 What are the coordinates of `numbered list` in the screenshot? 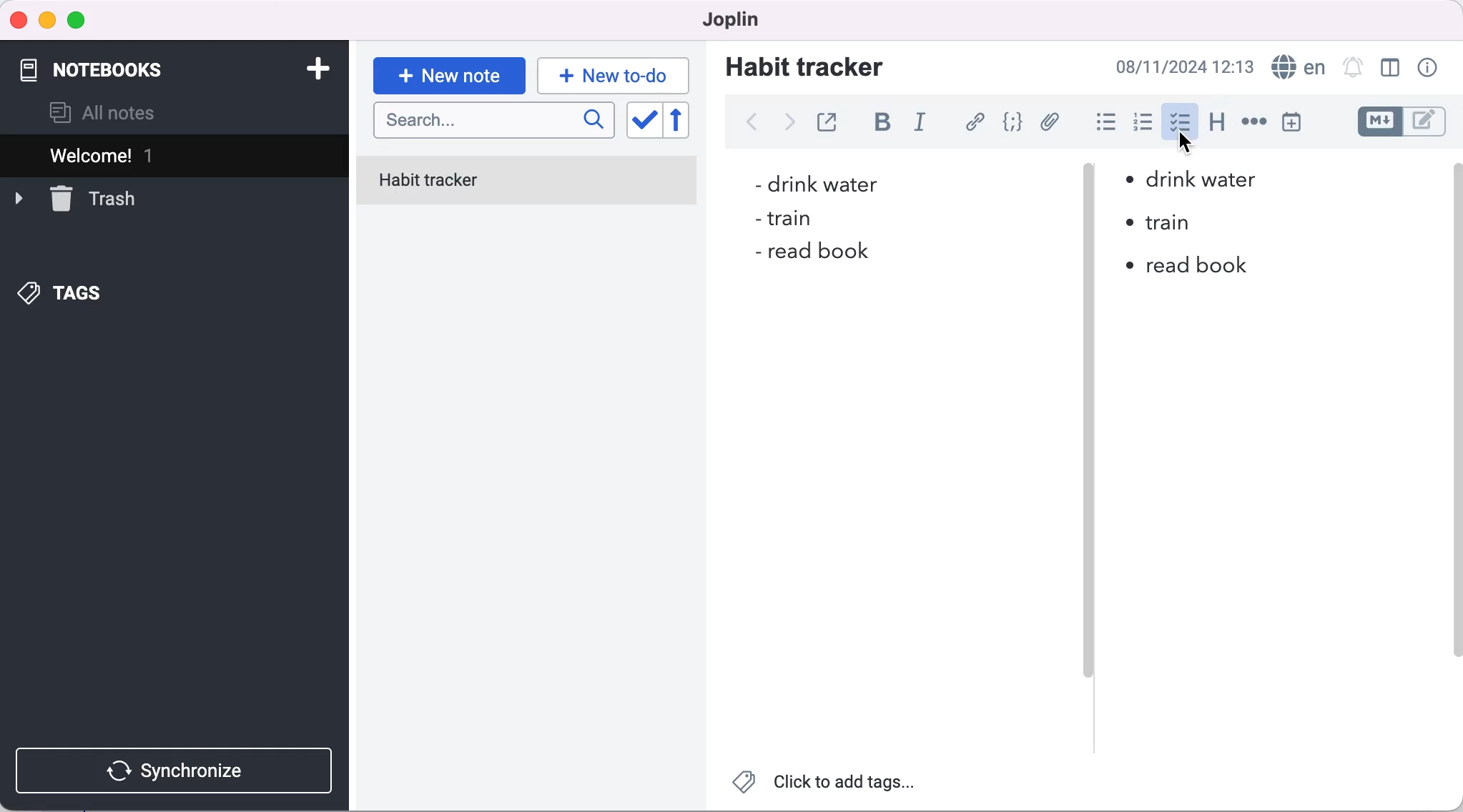 It's located at (1147, 124).